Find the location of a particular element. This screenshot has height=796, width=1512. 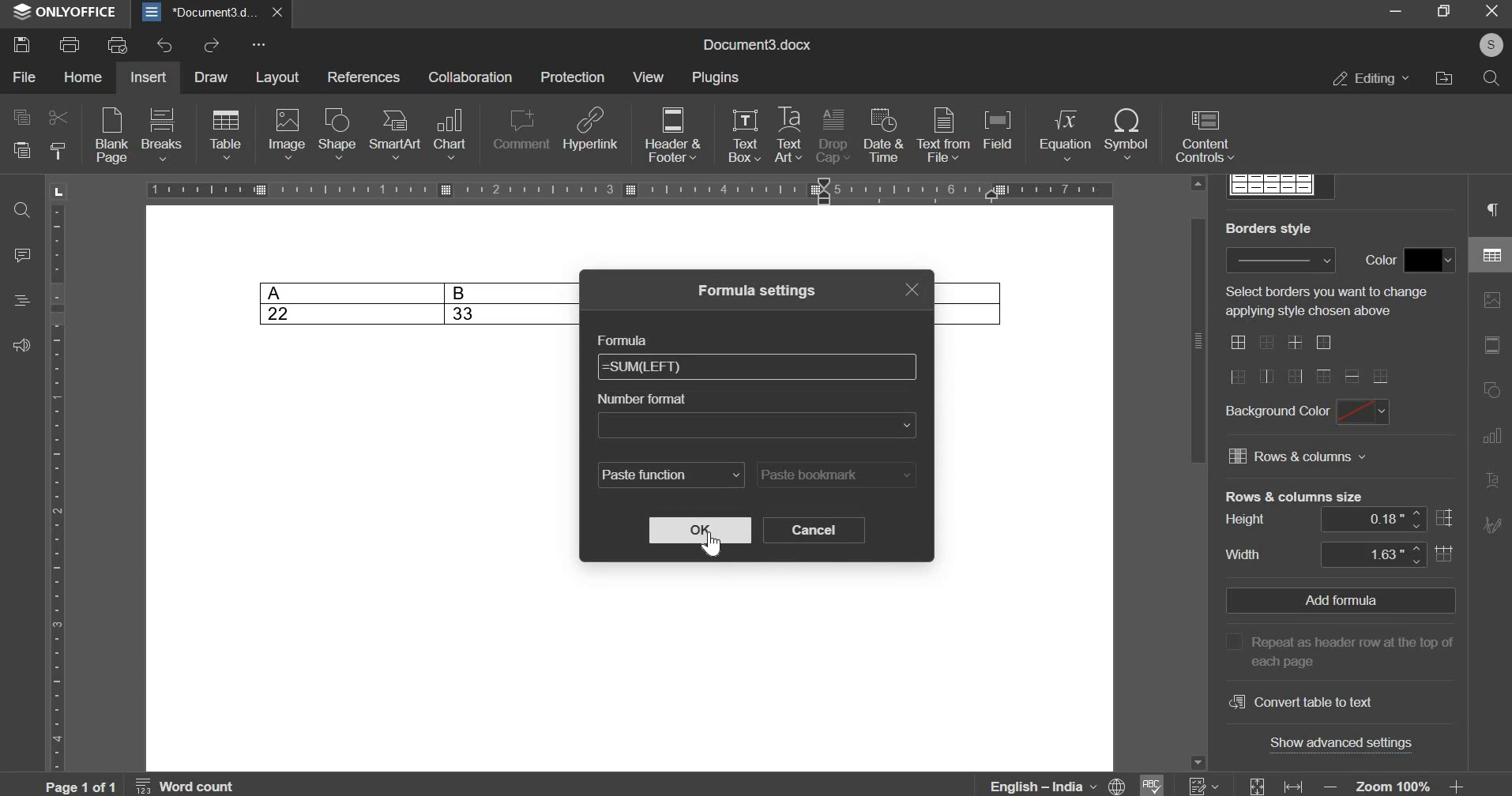

background color is located at coordinates (1363, 413).